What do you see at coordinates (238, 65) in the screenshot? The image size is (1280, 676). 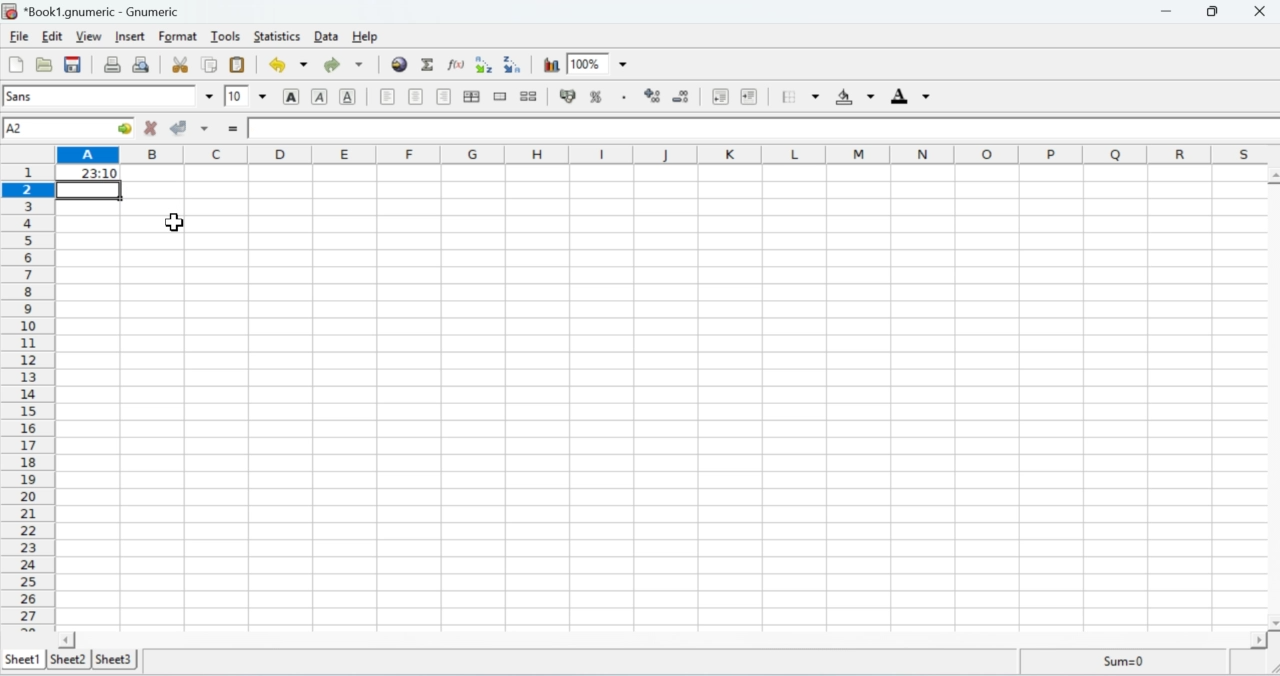 I see `Paste clipboard` at bounding box center [238, 65].